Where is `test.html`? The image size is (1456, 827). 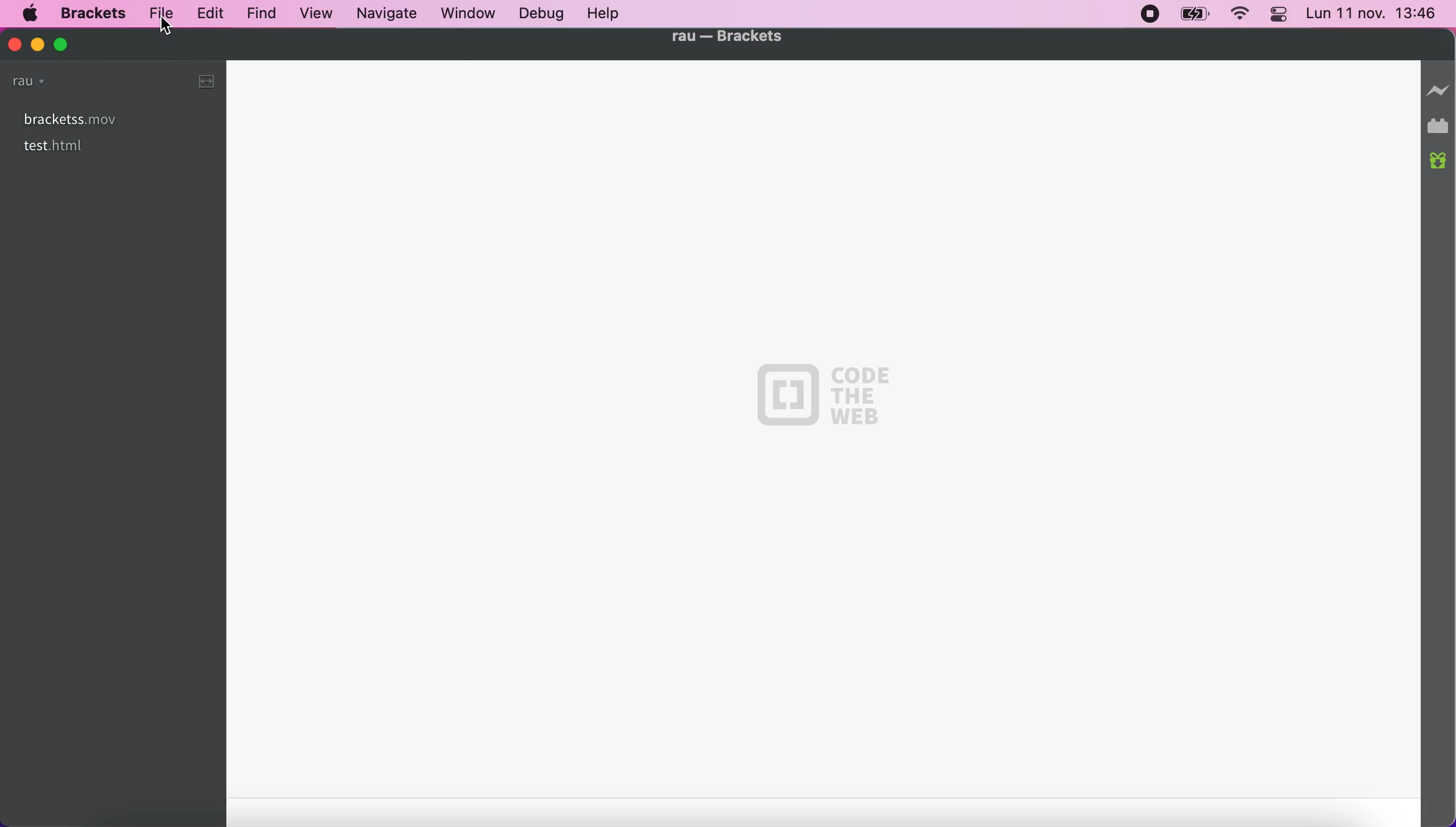 test.html is located at coordinates (63, 146).